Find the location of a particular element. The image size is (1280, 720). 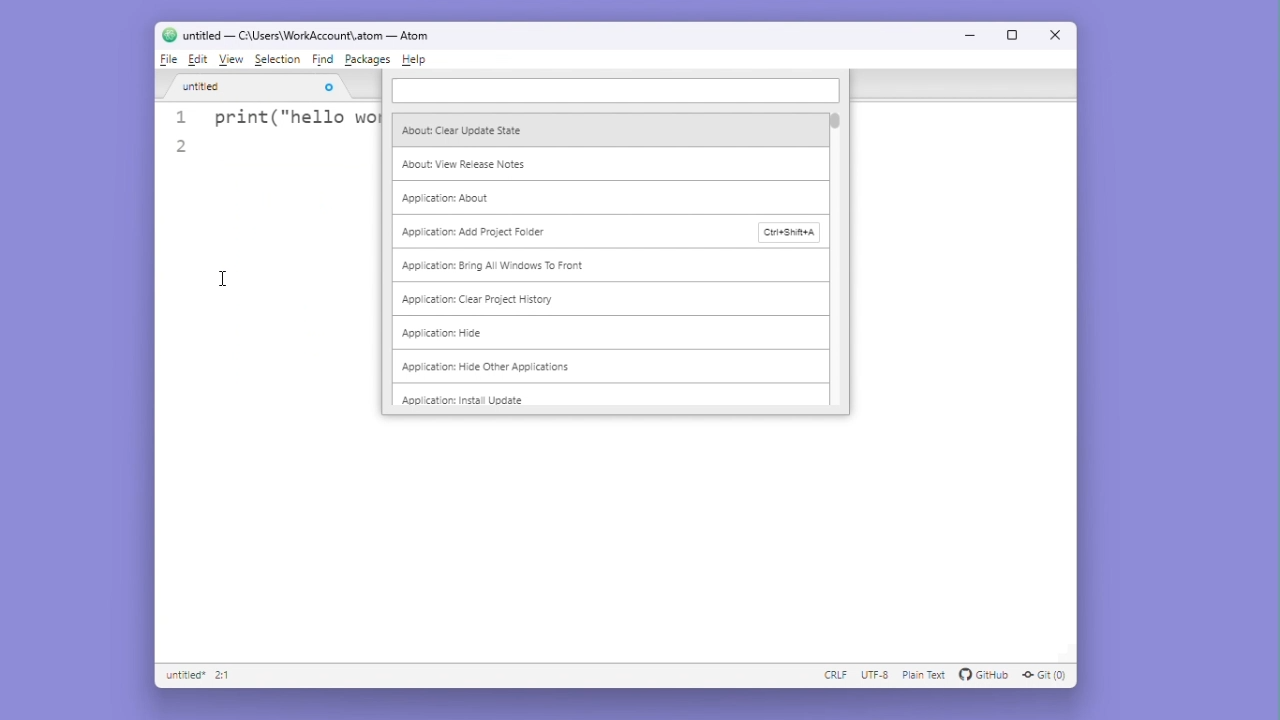

Packages is located at coordinates (369, 60).